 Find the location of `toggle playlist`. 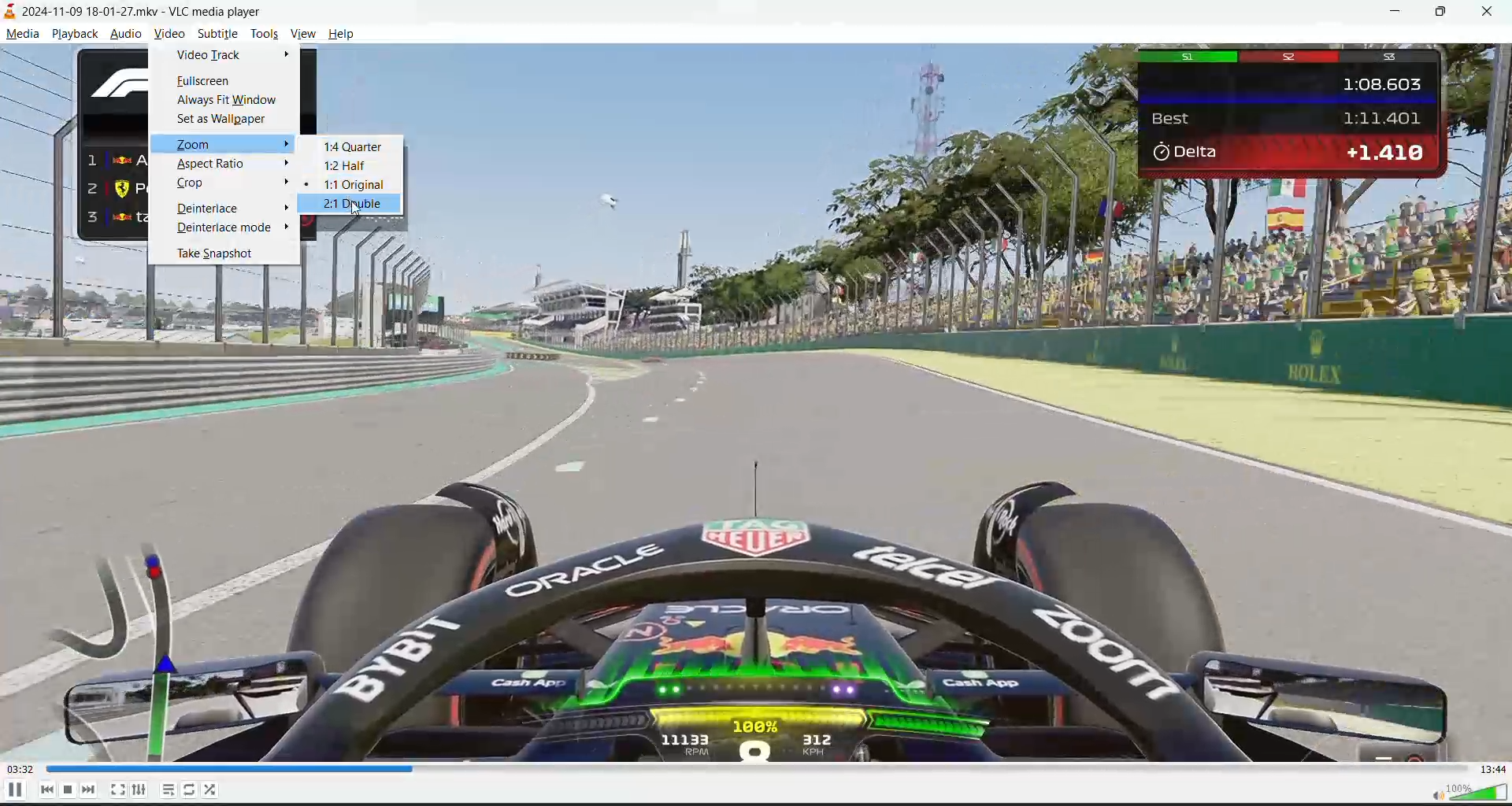

toggle playlist is located at coordinates (170, 789).